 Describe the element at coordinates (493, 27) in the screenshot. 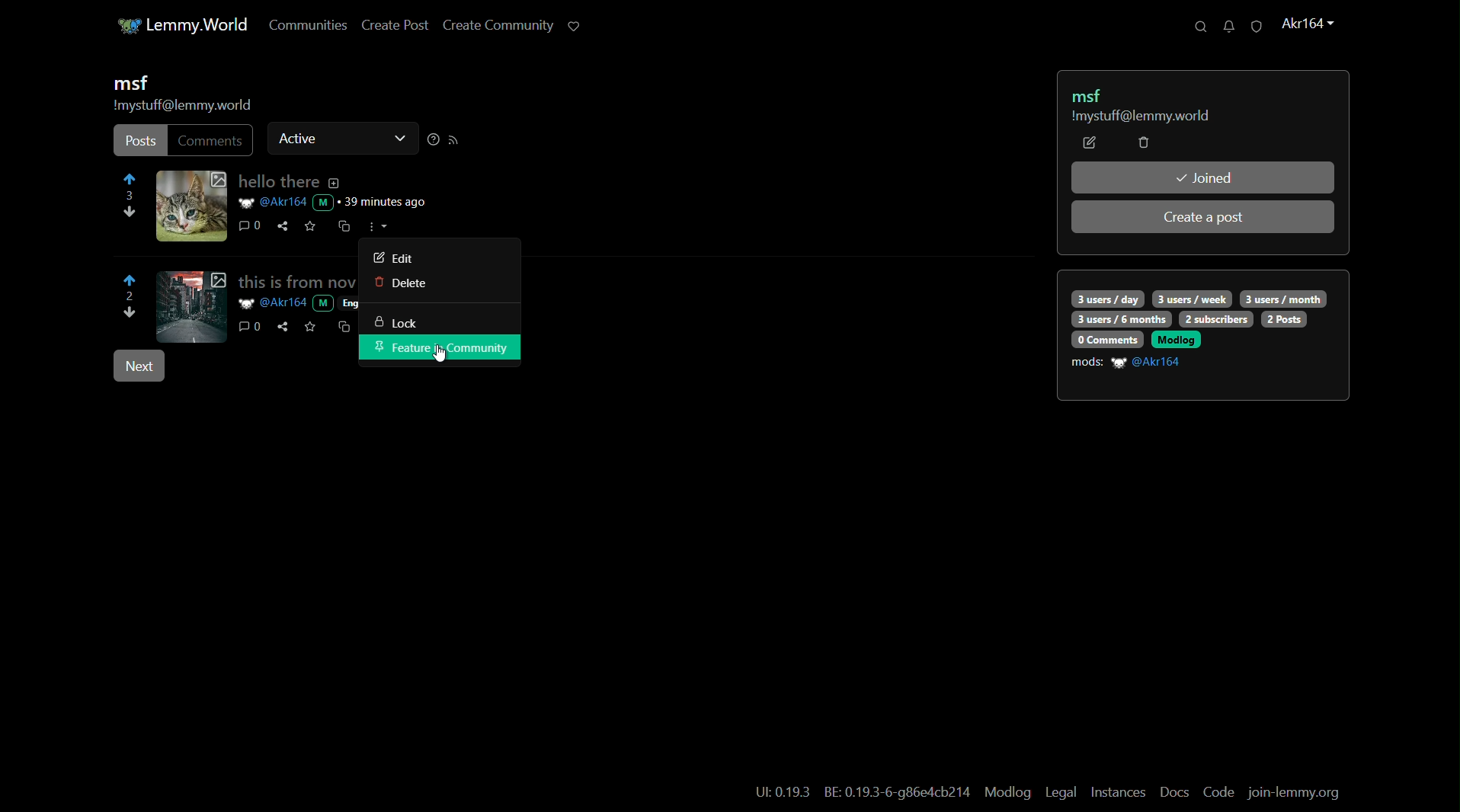

I see `create community` at that location.